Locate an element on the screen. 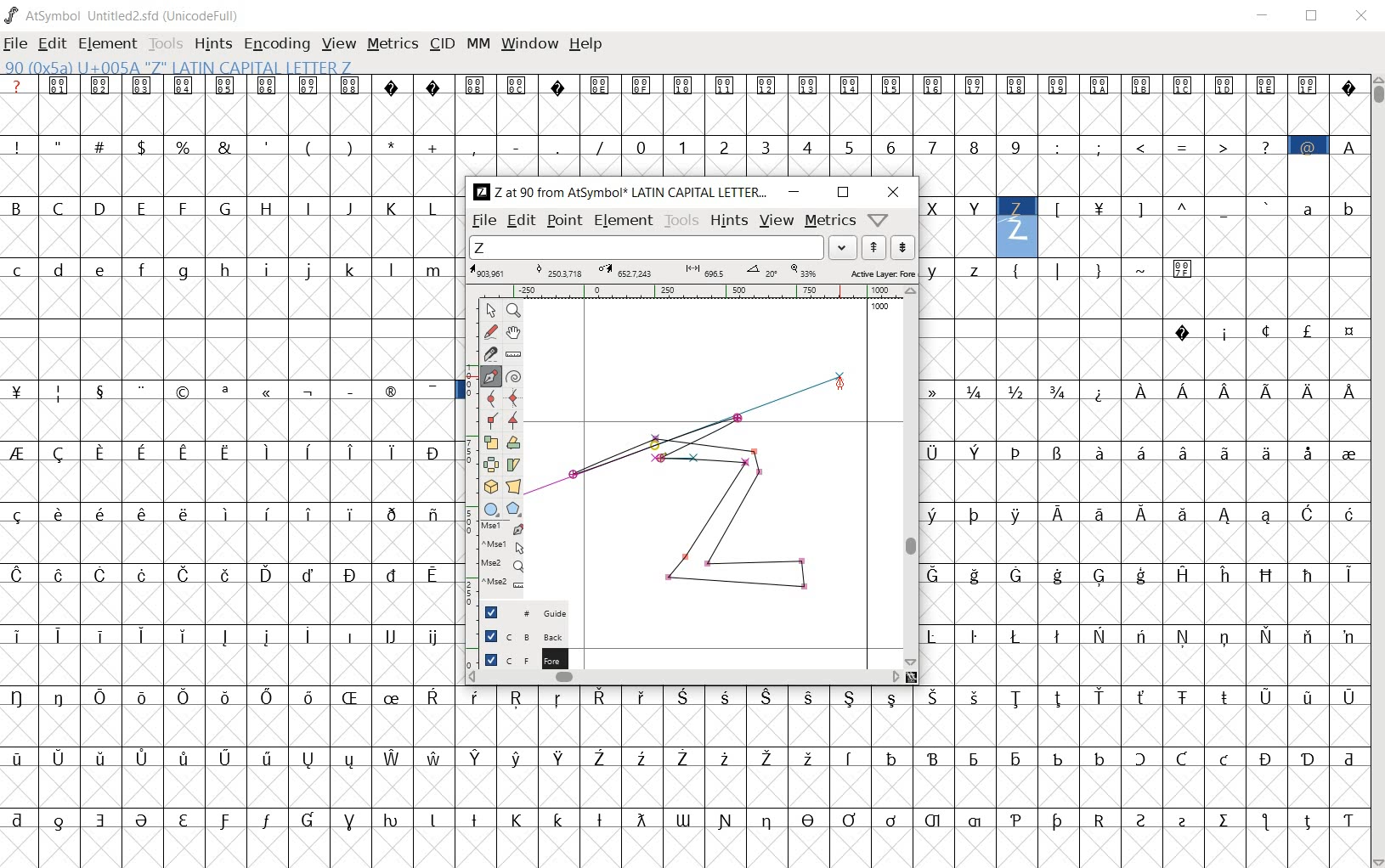 This screenshot has height=868, width=1385. glyph characters is located at coordinates (1144, 471).